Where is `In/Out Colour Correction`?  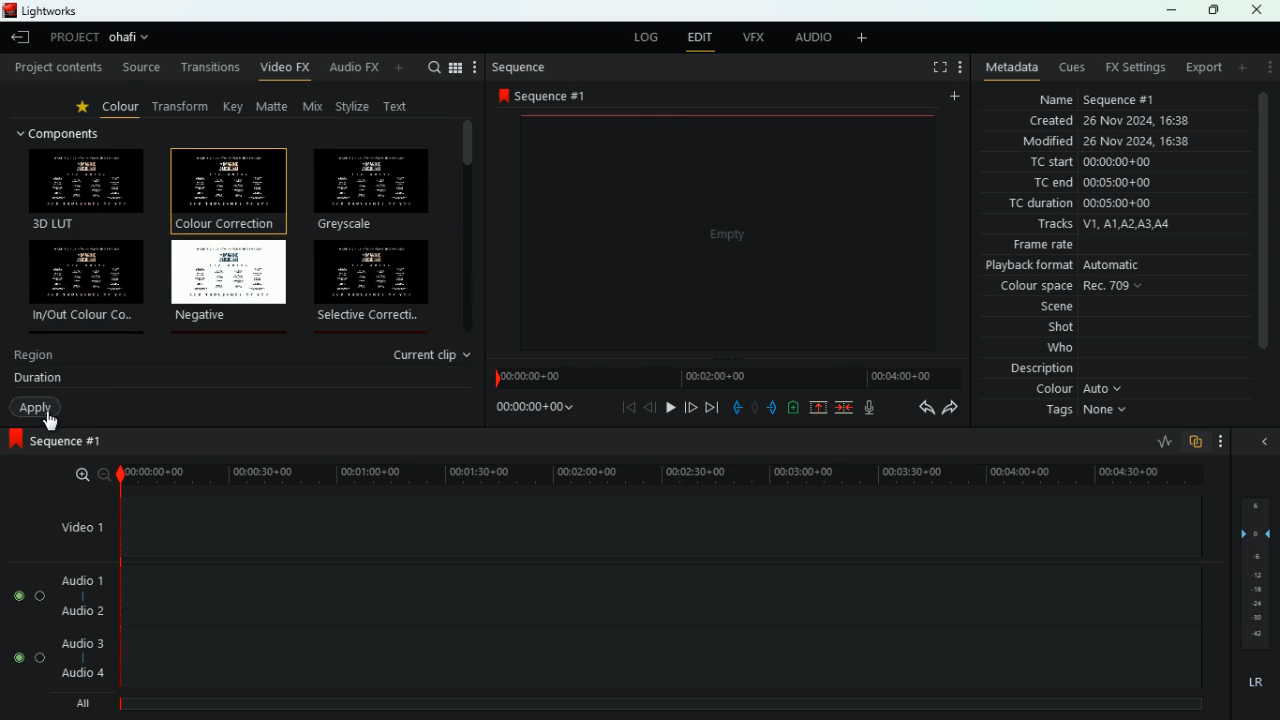 In/Out Colour Correction is located at coordinates (85, 280).